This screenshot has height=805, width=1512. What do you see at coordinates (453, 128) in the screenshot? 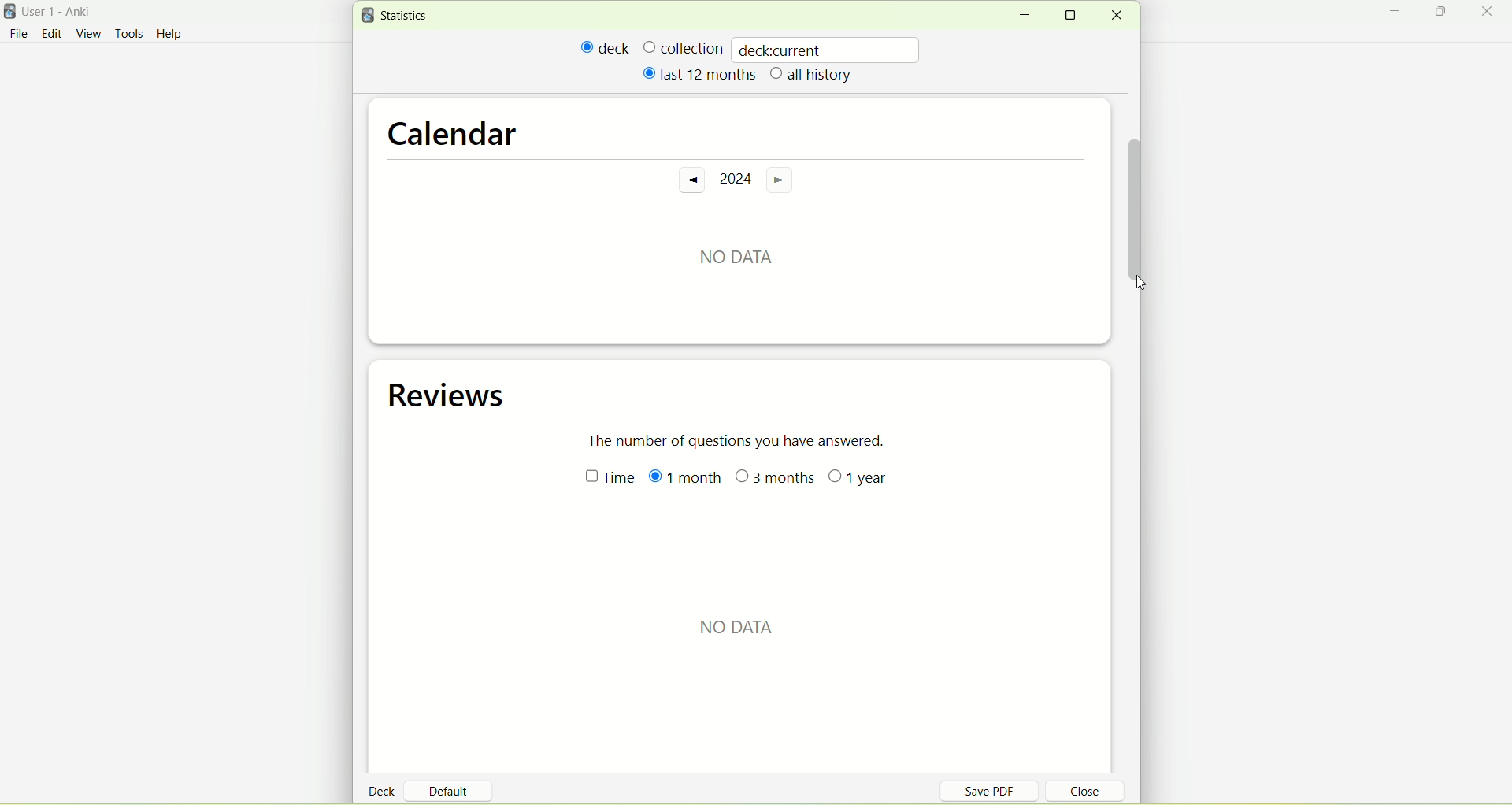
I see `calendar` at bounding box center [453, 128].